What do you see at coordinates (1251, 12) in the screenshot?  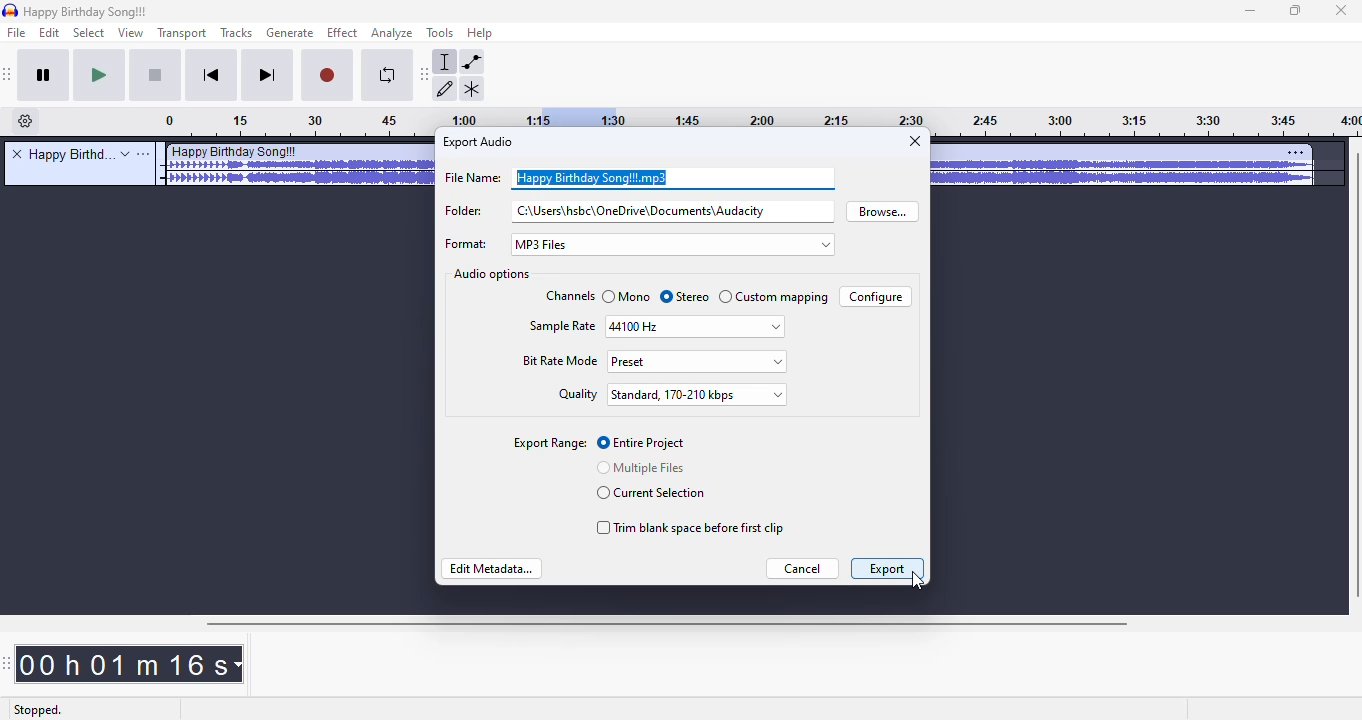 I see `minimize` at bounding box center [1251, 12].